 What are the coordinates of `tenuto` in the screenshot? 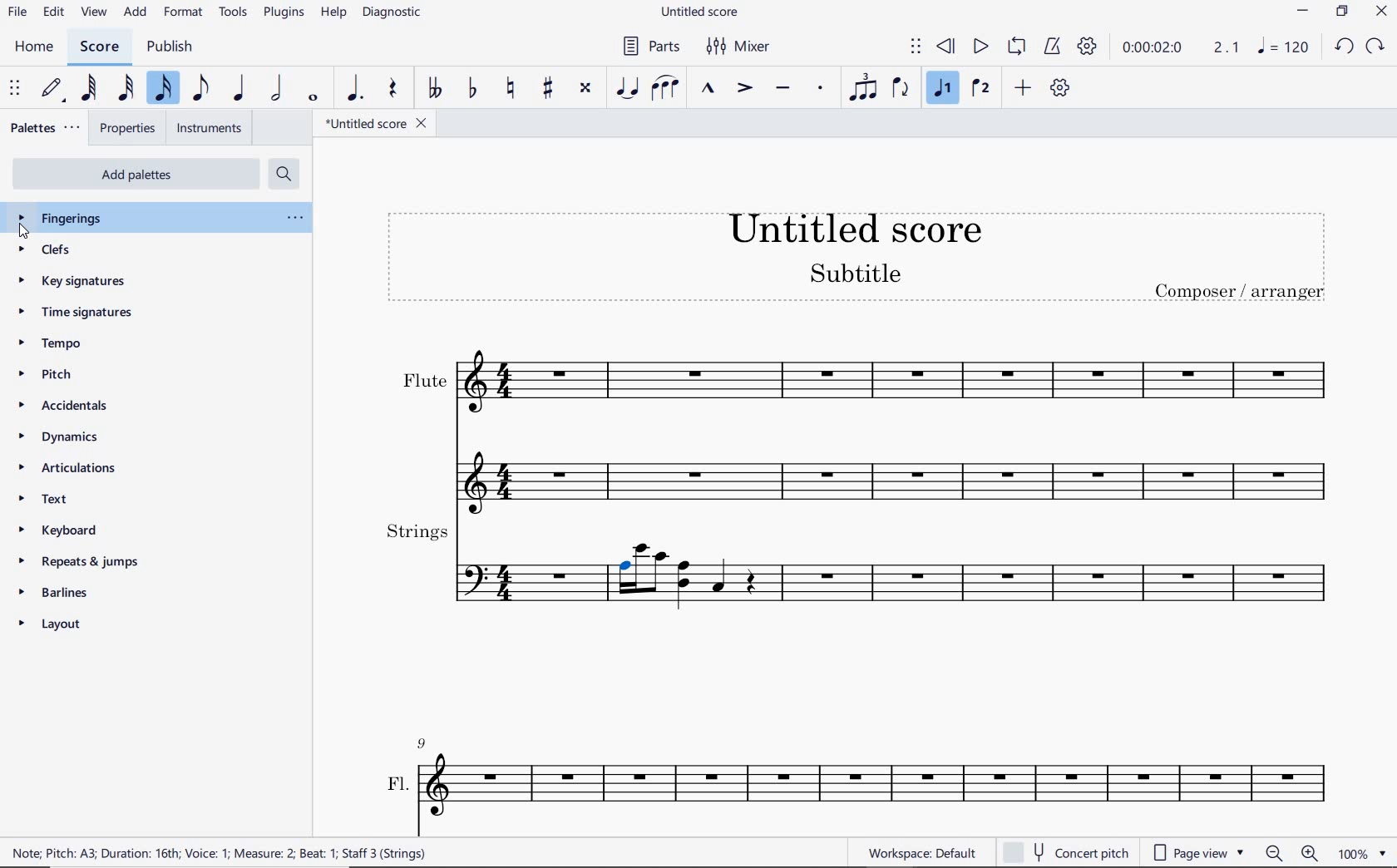 It's located at (782, 90).